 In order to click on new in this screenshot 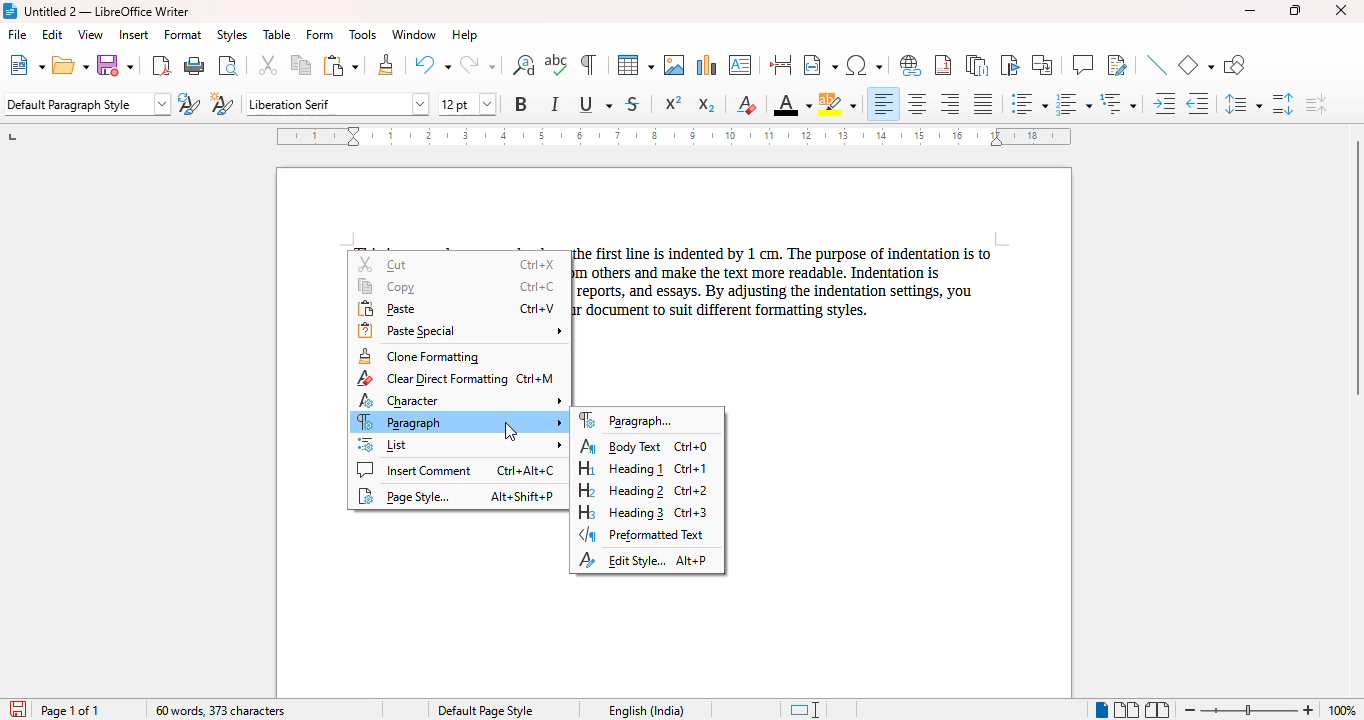, I will do `click(26, 64)`.